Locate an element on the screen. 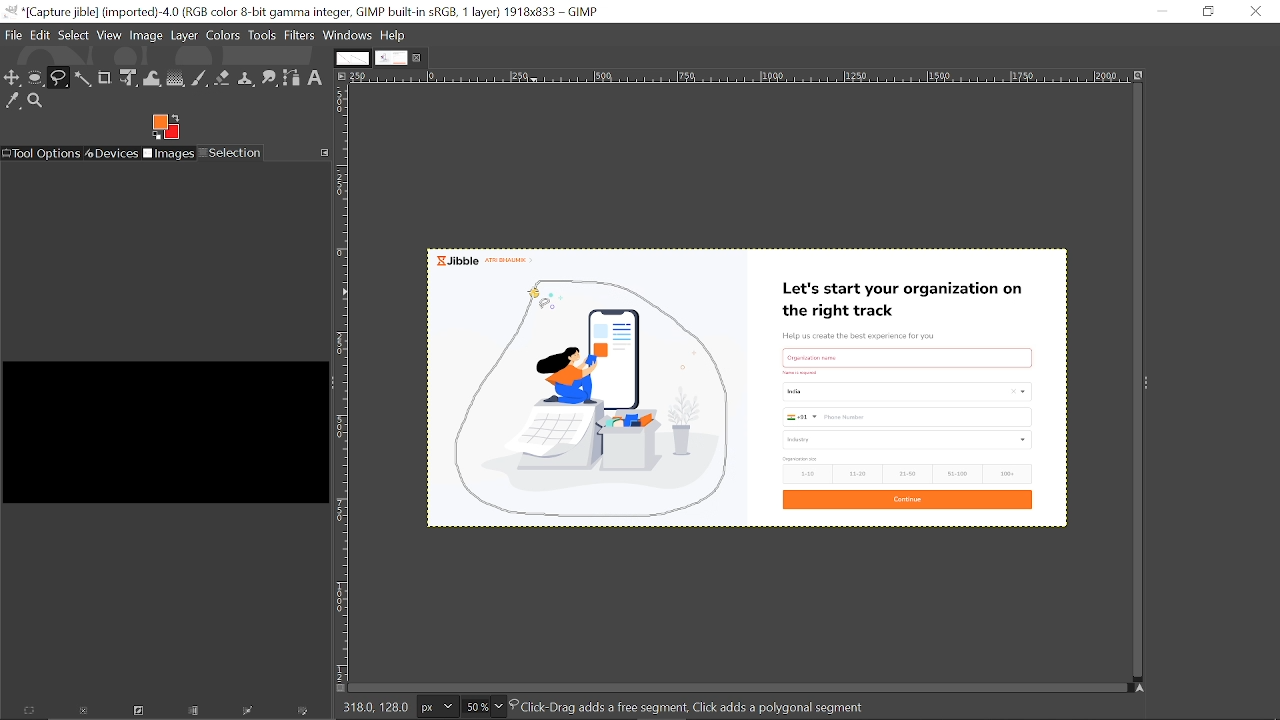 Image resolution: width=1280 pixels, height=720 pixels. help is located at coordinates (394, 35).